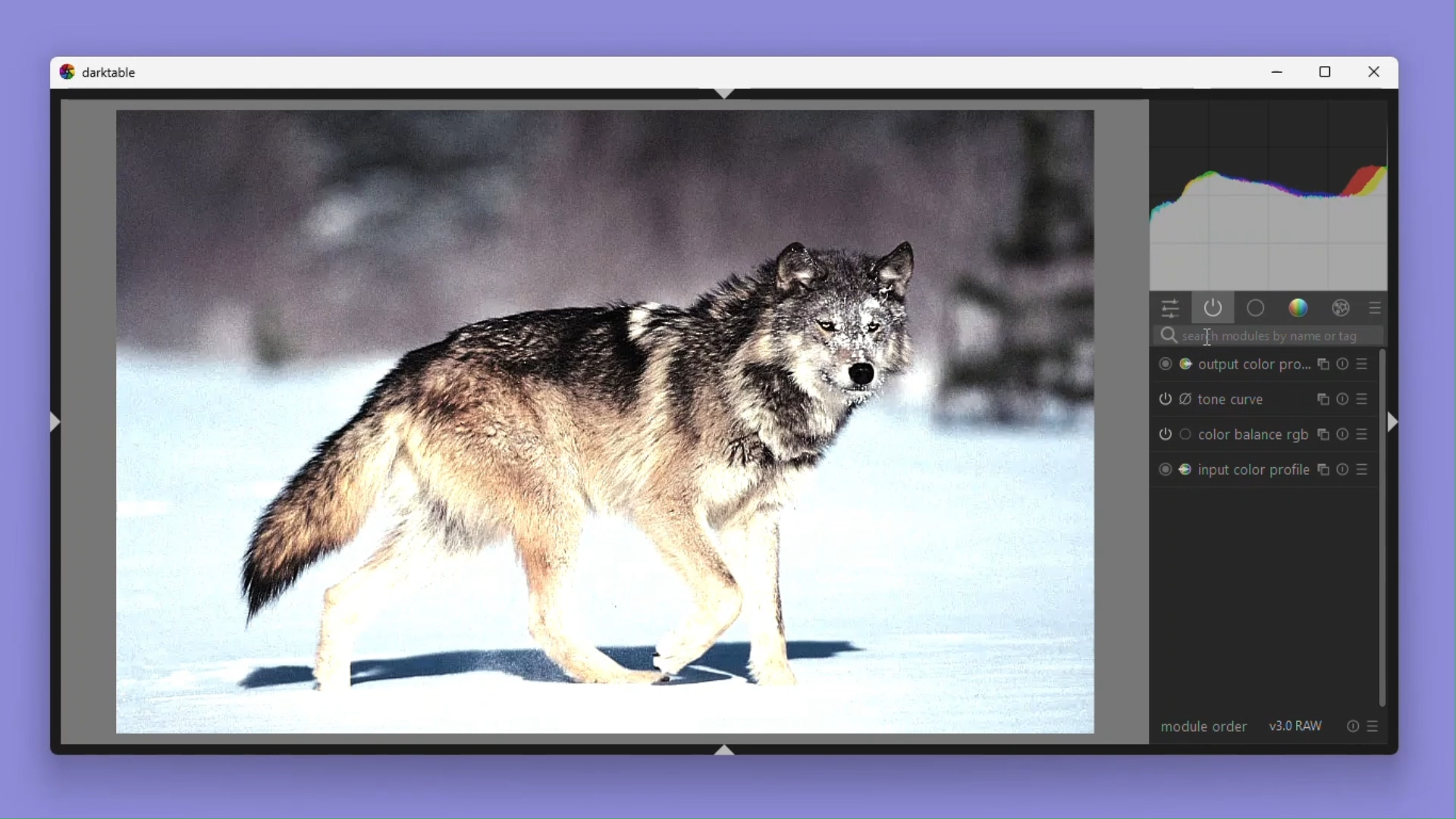 The image size is (1456, 819). Describe the element at coordinates (110, 71) in the screenshot. I see `Dark table logo` at that location.